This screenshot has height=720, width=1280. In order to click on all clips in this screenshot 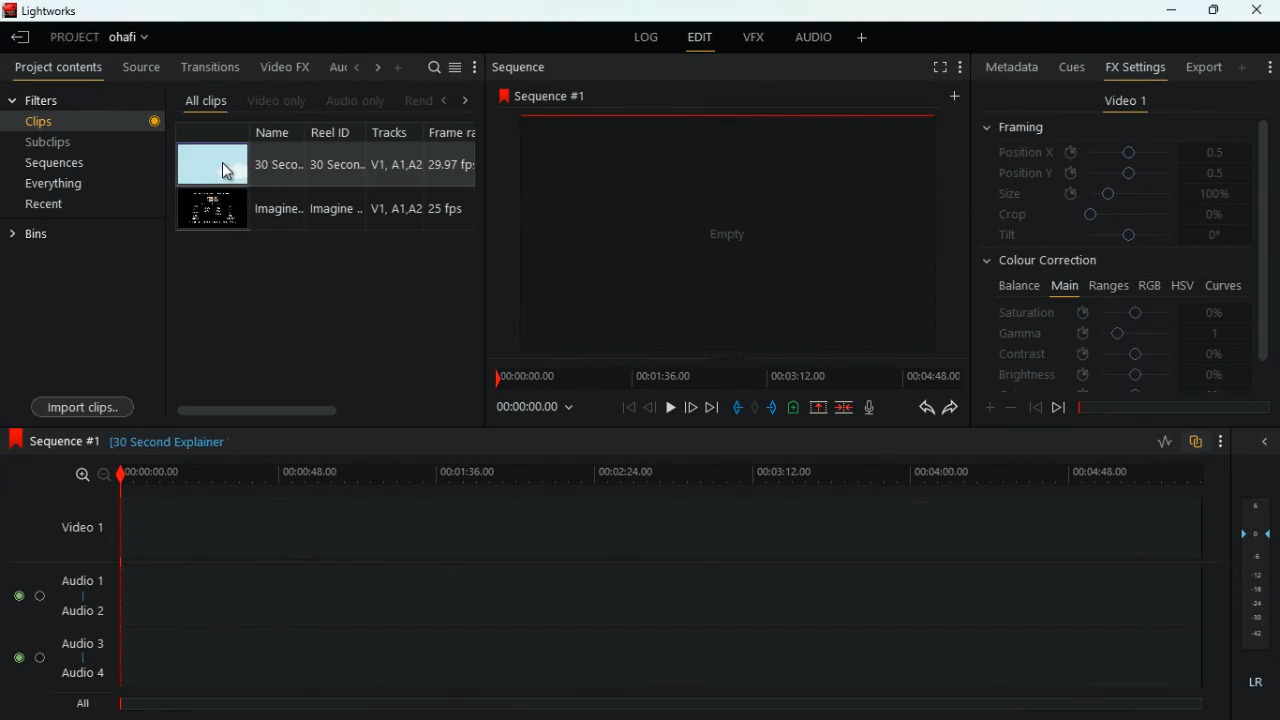, I will do `click(203, 101)`.